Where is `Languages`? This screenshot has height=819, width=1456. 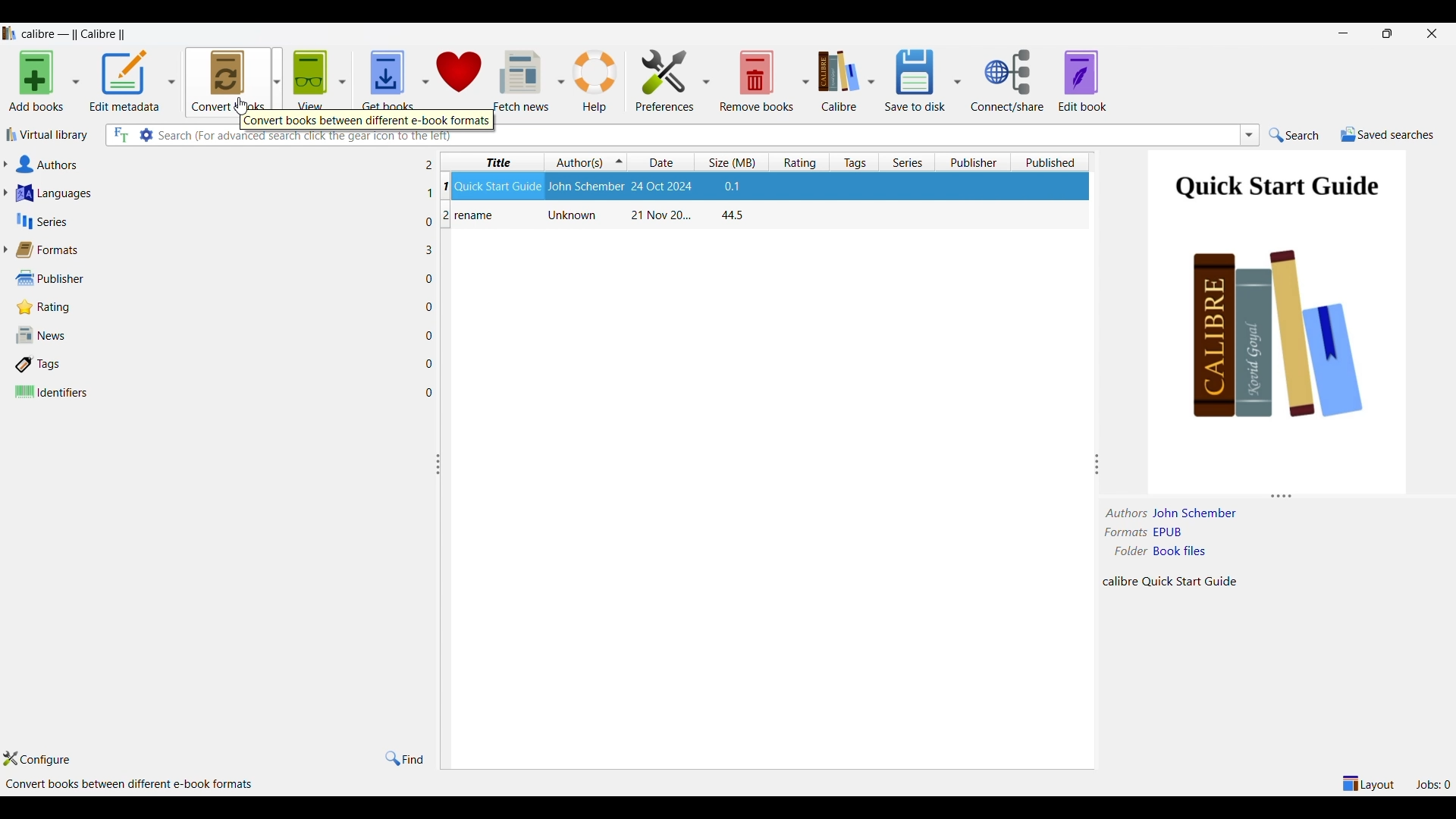 Languages is located at coordinates (216, 193).